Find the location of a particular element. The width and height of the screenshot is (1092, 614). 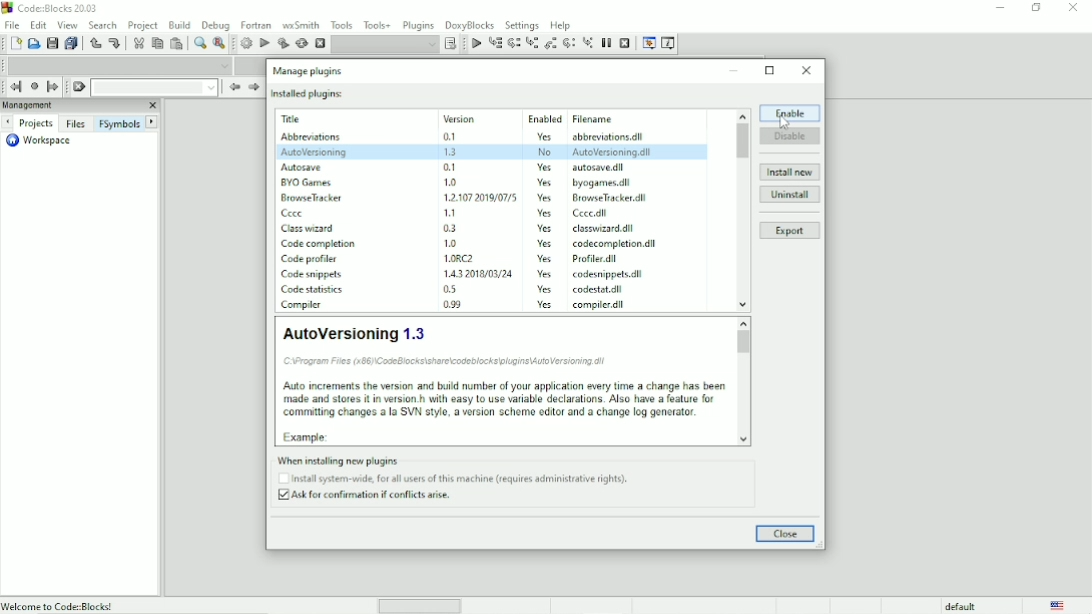

default is located at coordinates (960, 606).